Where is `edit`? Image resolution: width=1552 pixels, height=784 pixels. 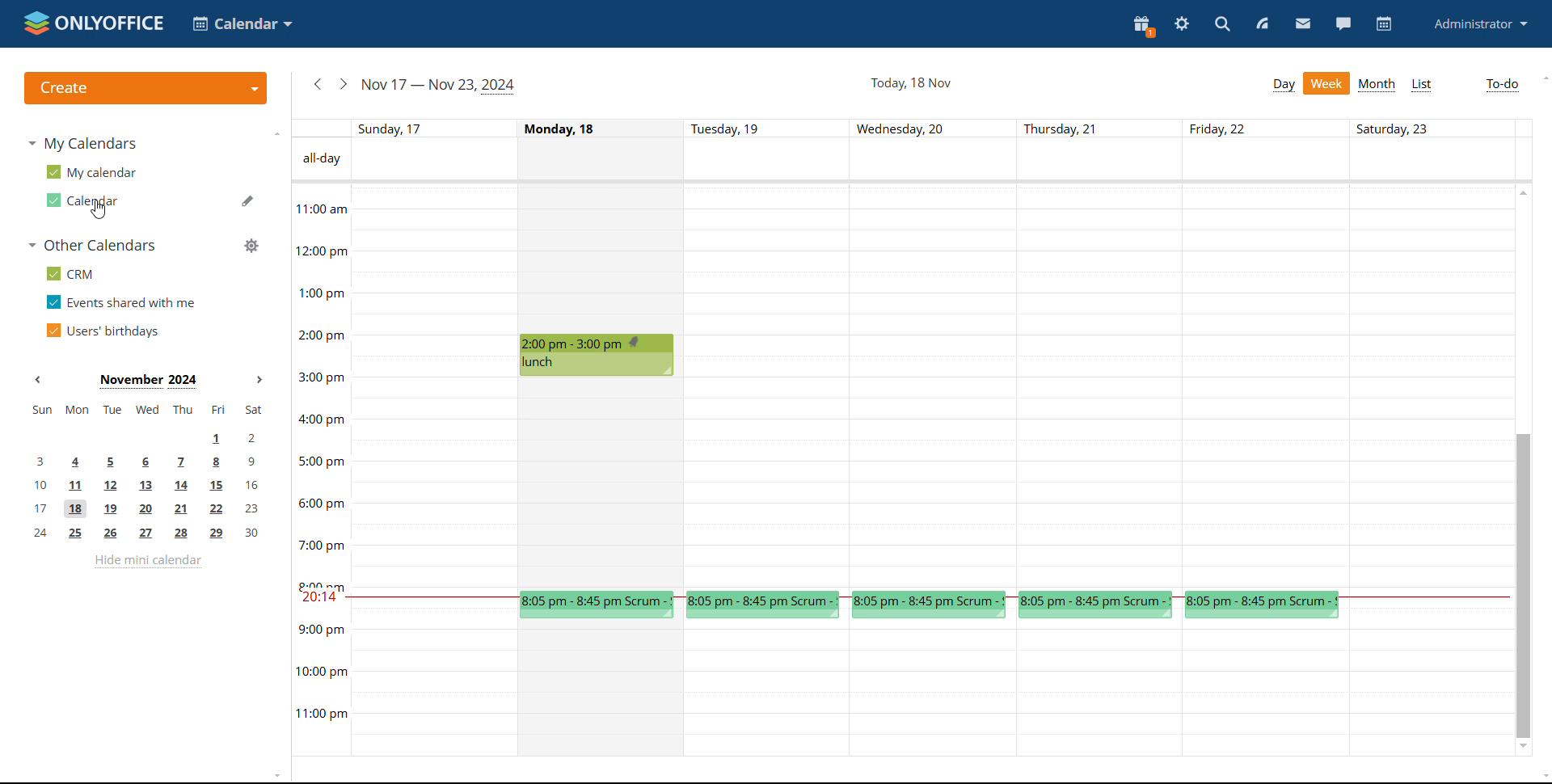
edit is located at coordinates (248, 200).